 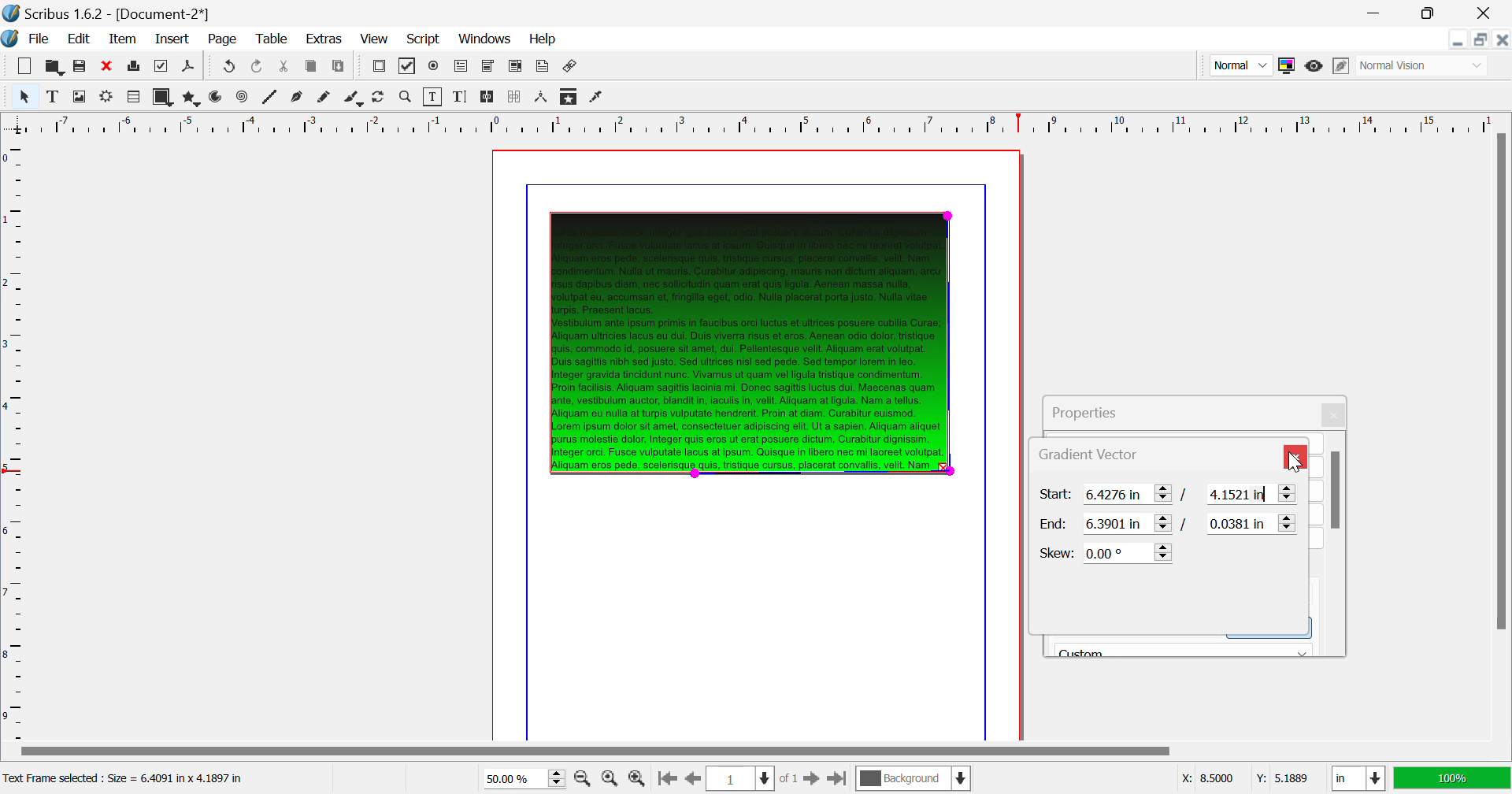 What do you see at coordinates (638, 779) in the screenshot?
I see `Zoom In` at bounding box center [638, 779].